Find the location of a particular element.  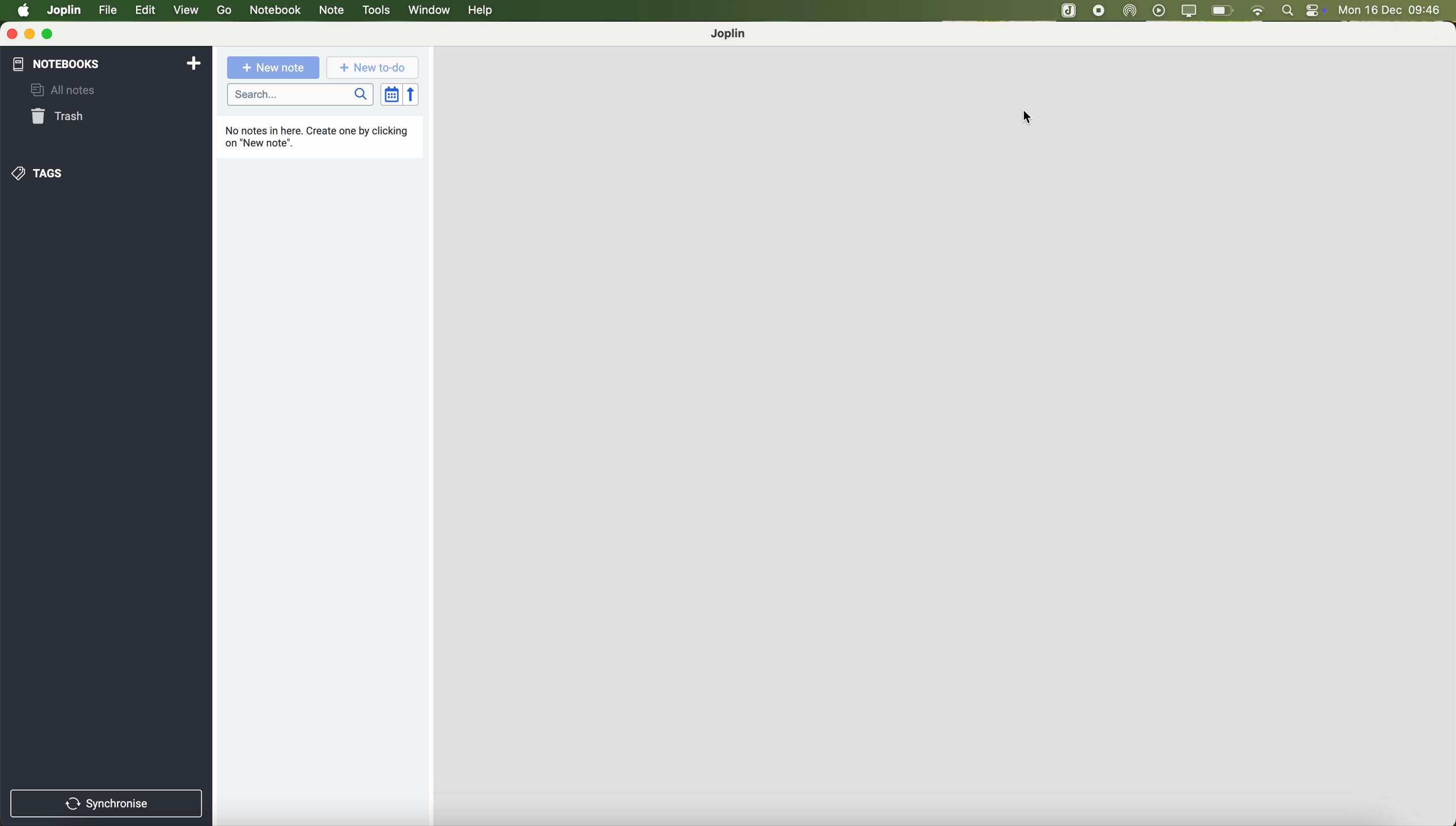

notebooks is located at coordinates (108, 64).